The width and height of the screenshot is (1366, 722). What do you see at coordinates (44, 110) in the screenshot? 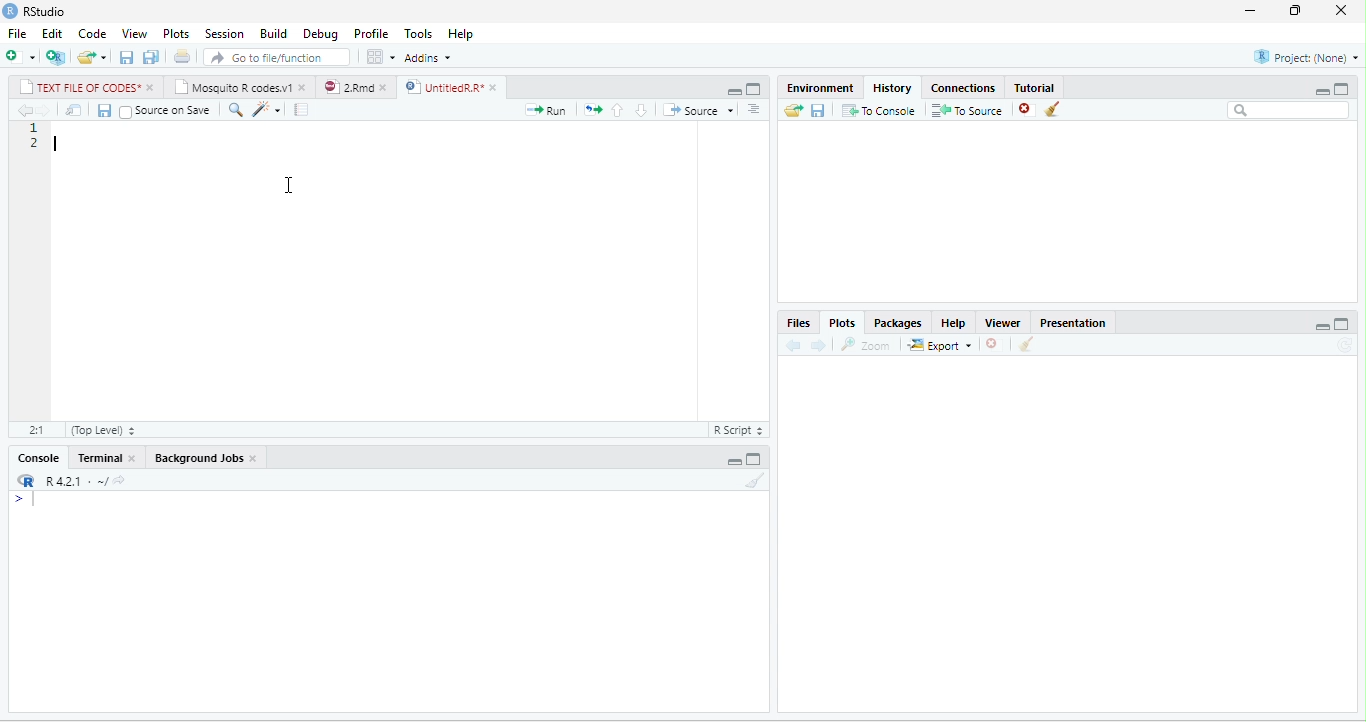
I see `forward` at bounding box center [44, 110].